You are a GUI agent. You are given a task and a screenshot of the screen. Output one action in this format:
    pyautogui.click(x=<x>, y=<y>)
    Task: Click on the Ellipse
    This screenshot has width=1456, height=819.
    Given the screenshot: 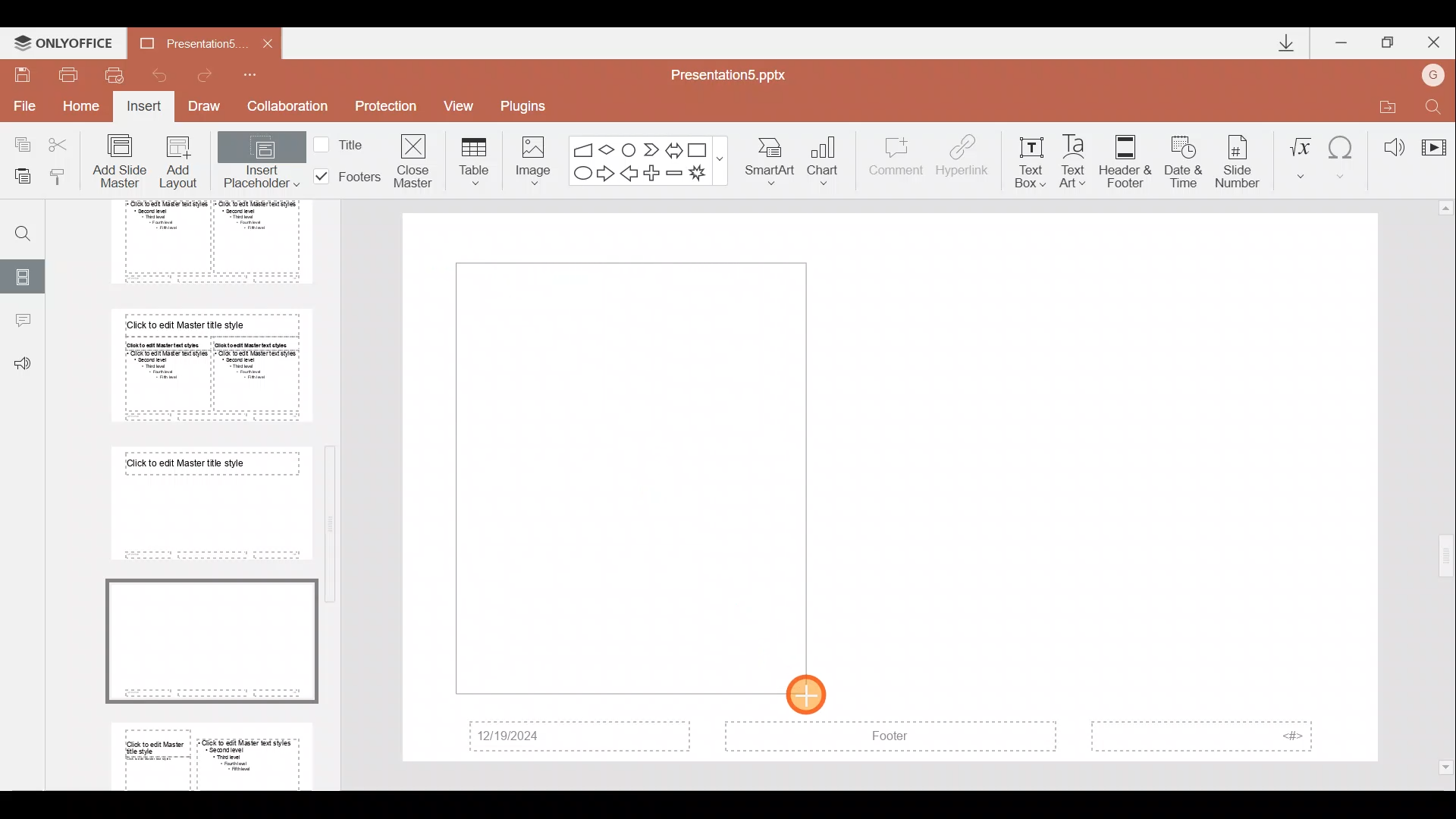 What is the action you would take?
    pyautogui.click(x=581, y=174)
    